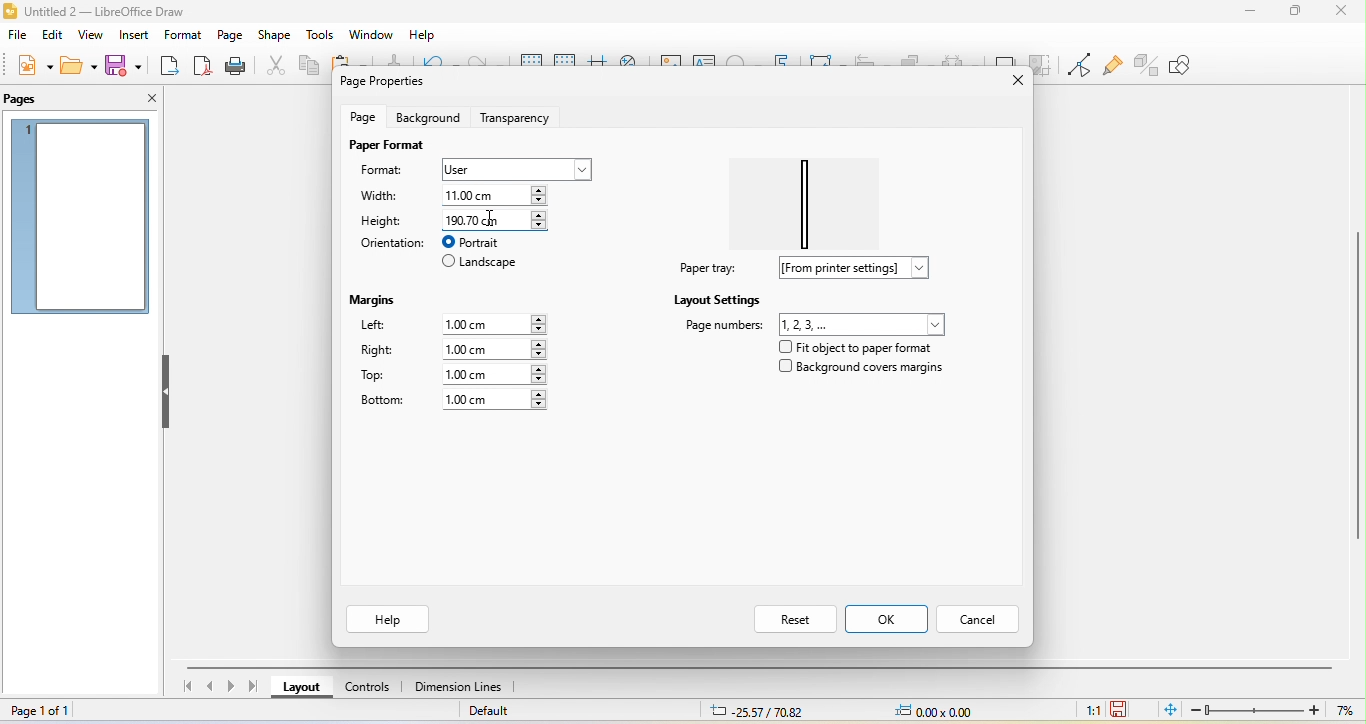  What do you see at coordinates (382, 376) in the screenshot?
I see `top` at bounding box center [382, 376].